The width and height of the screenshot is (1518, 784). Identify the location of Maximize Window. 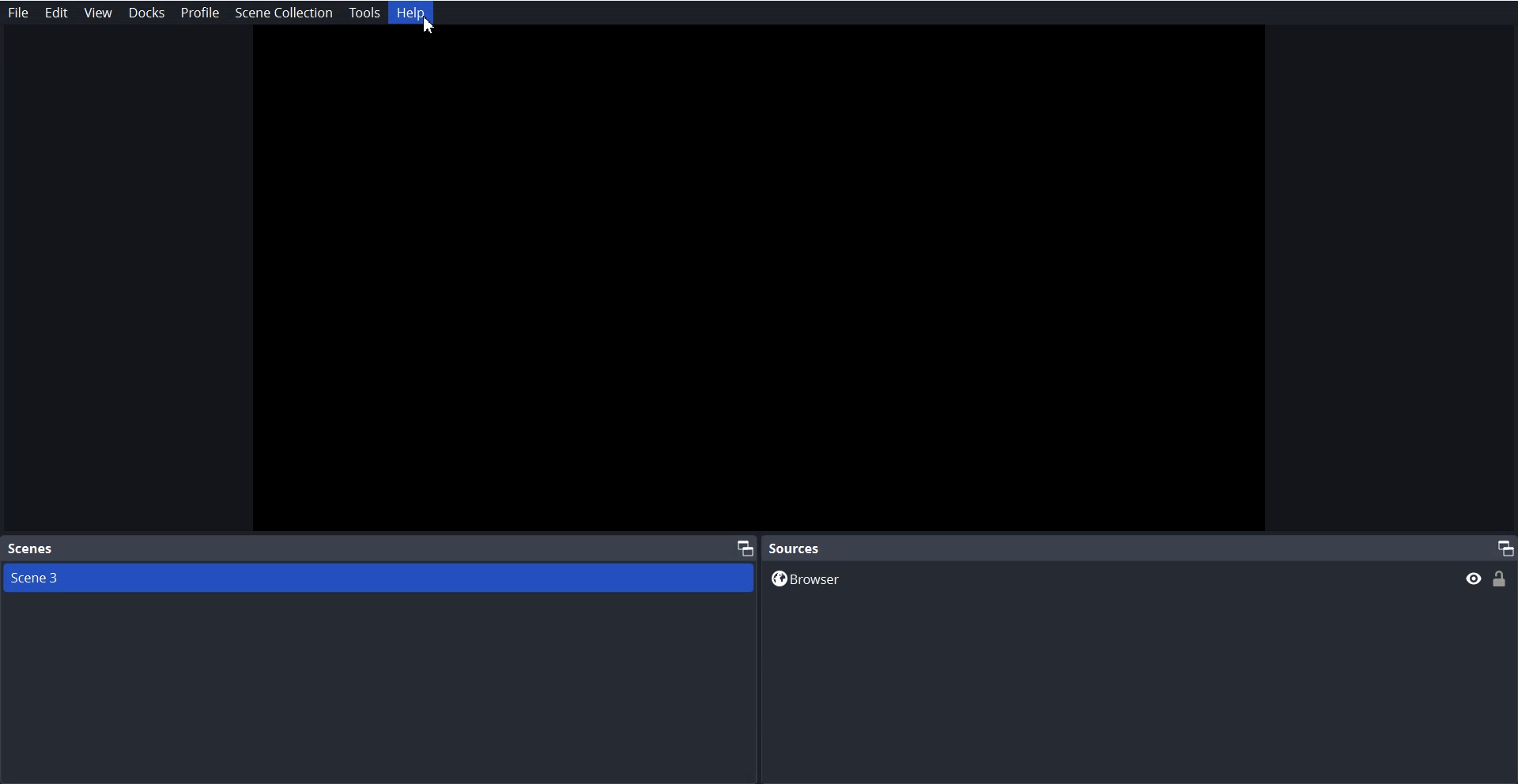
(1497, 548).